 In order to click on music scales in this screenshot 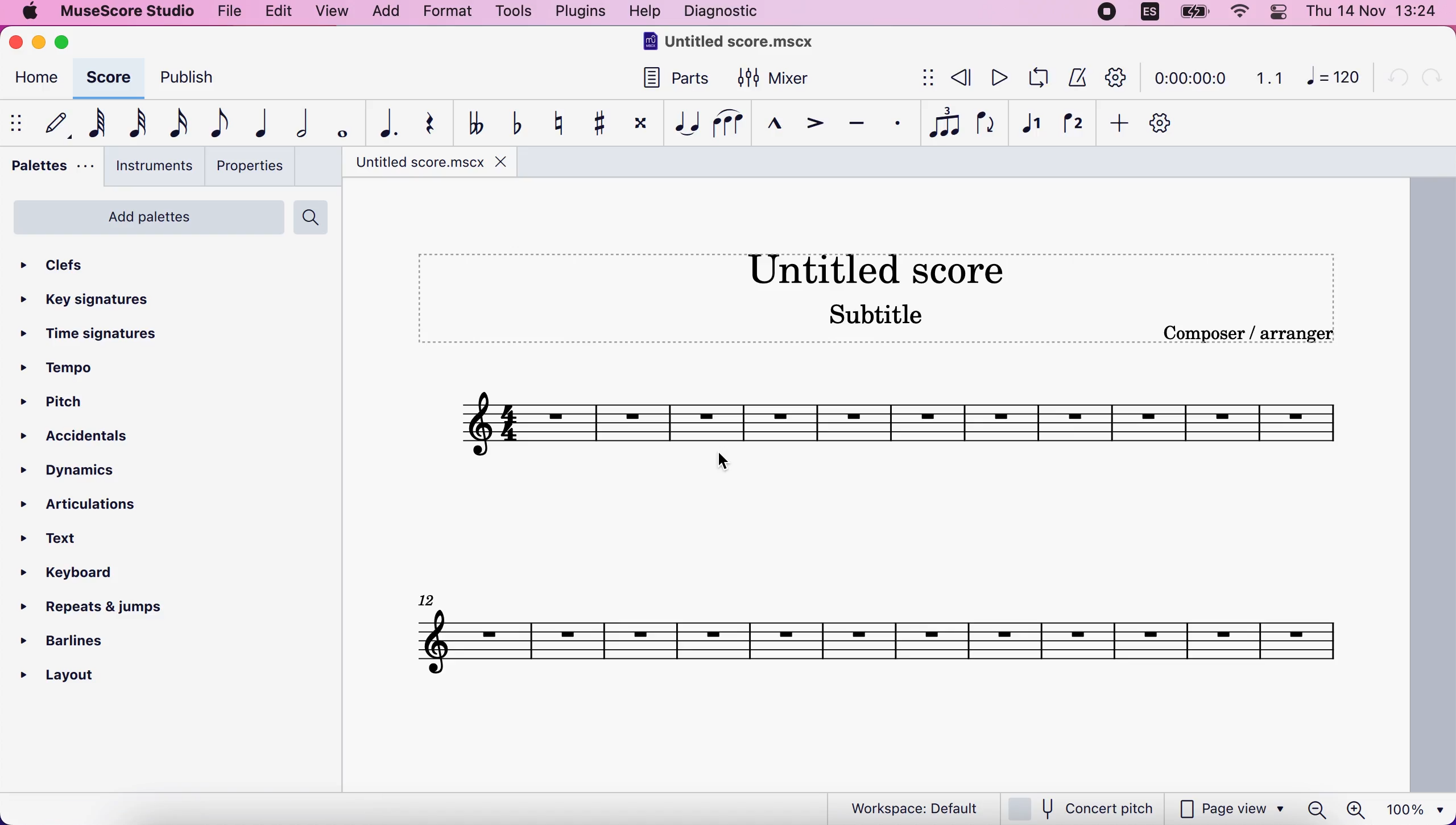, I will do `click(873, 418)`.